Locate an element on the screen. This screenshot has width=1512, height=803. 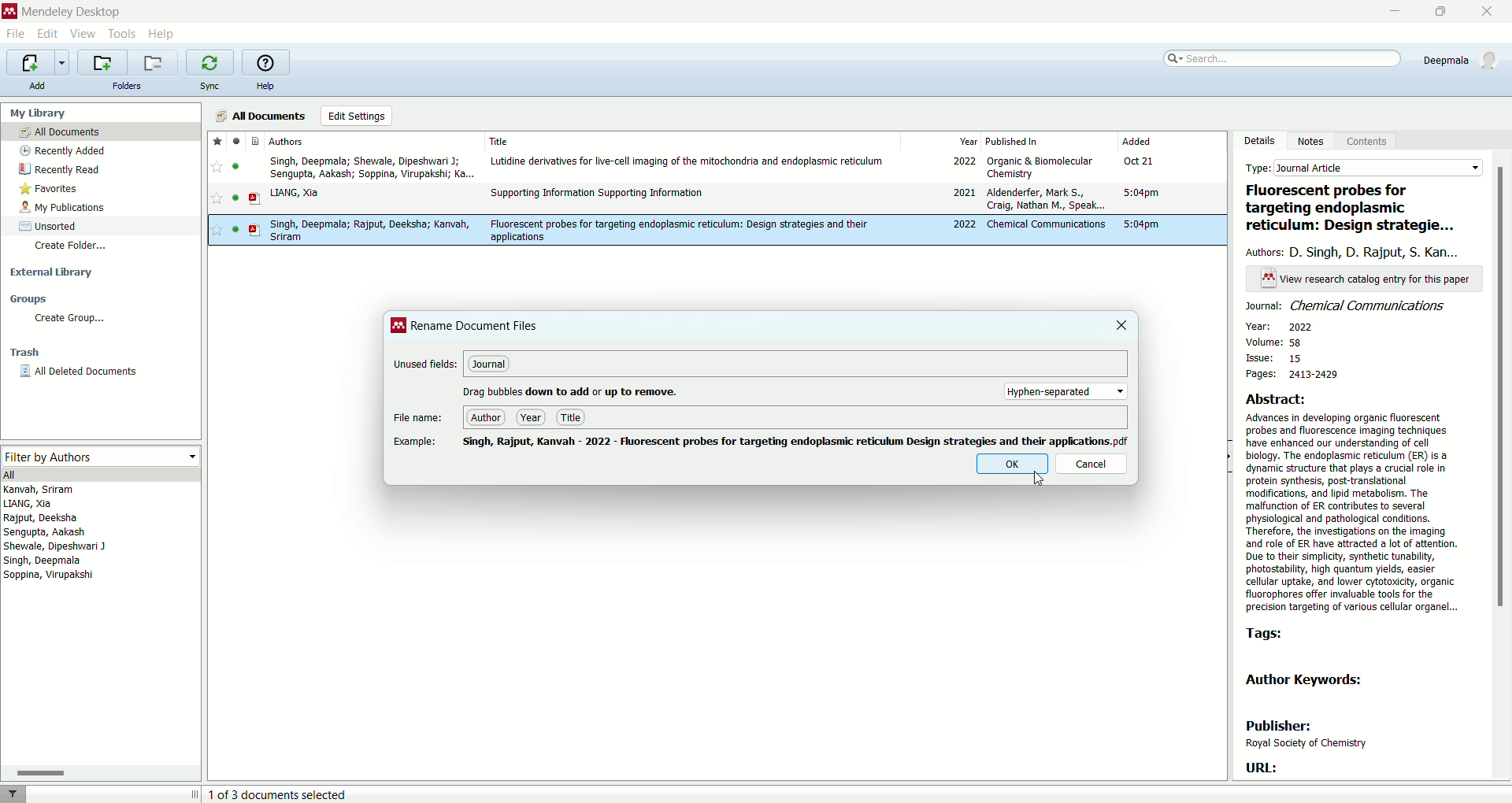
ok is located at coordinates (1004, 466).